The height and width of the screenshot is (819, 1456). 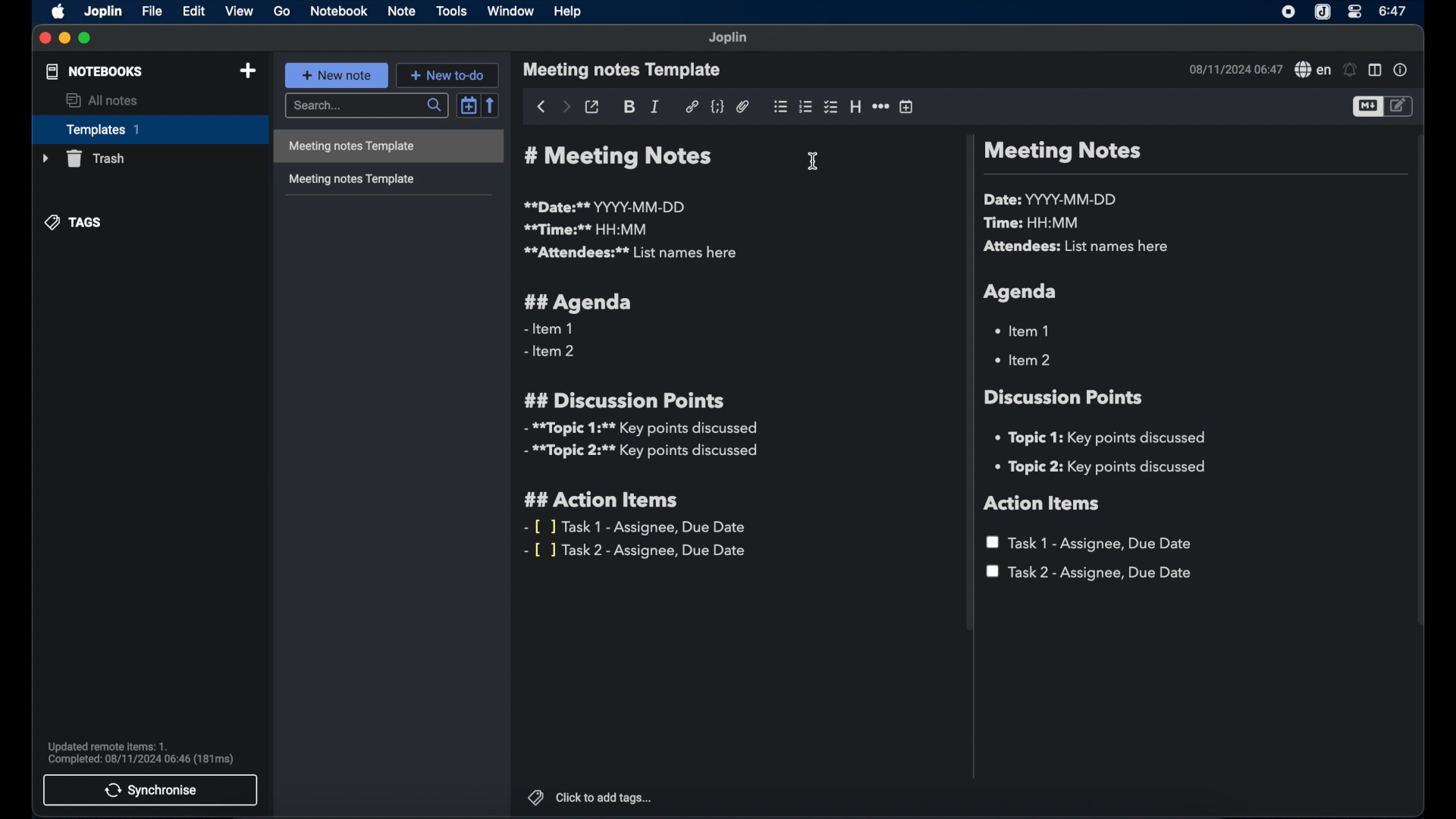 I want to click on task 2 - assignee, due date, so click(x=1090, y=573).